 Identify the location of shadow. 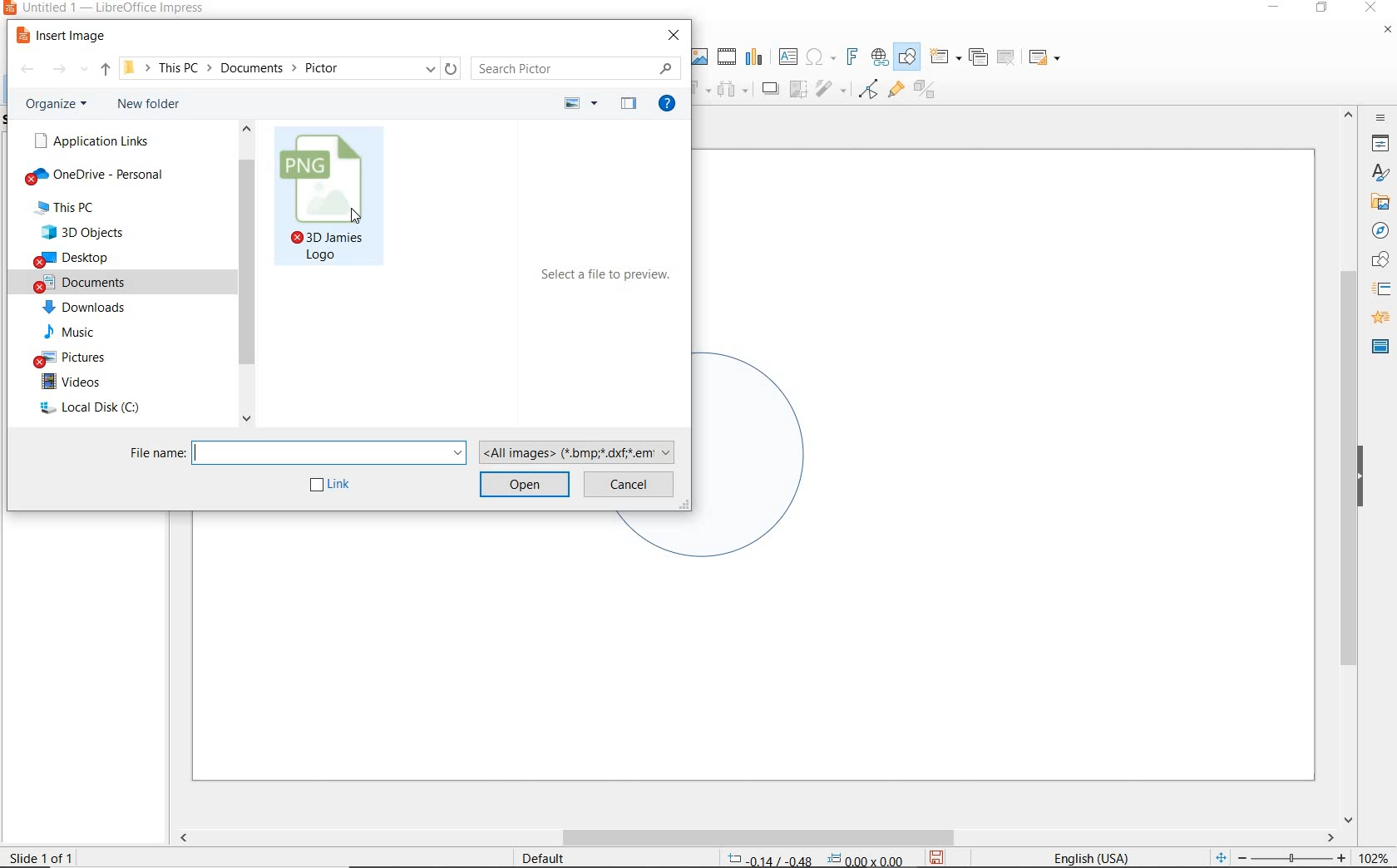
(769, 87).